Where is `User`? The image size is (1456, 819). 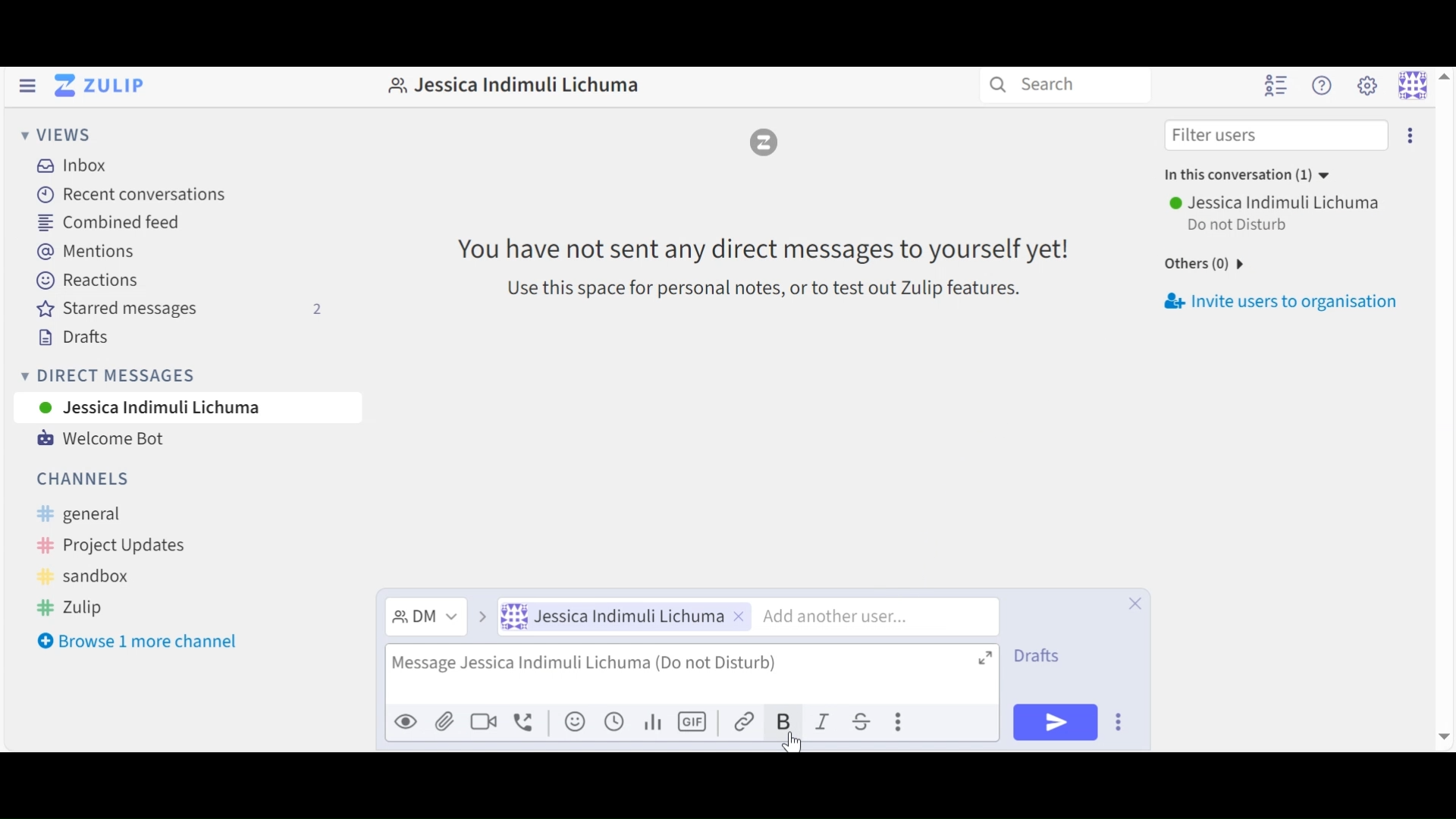
User is located at coordinates (163, 408).